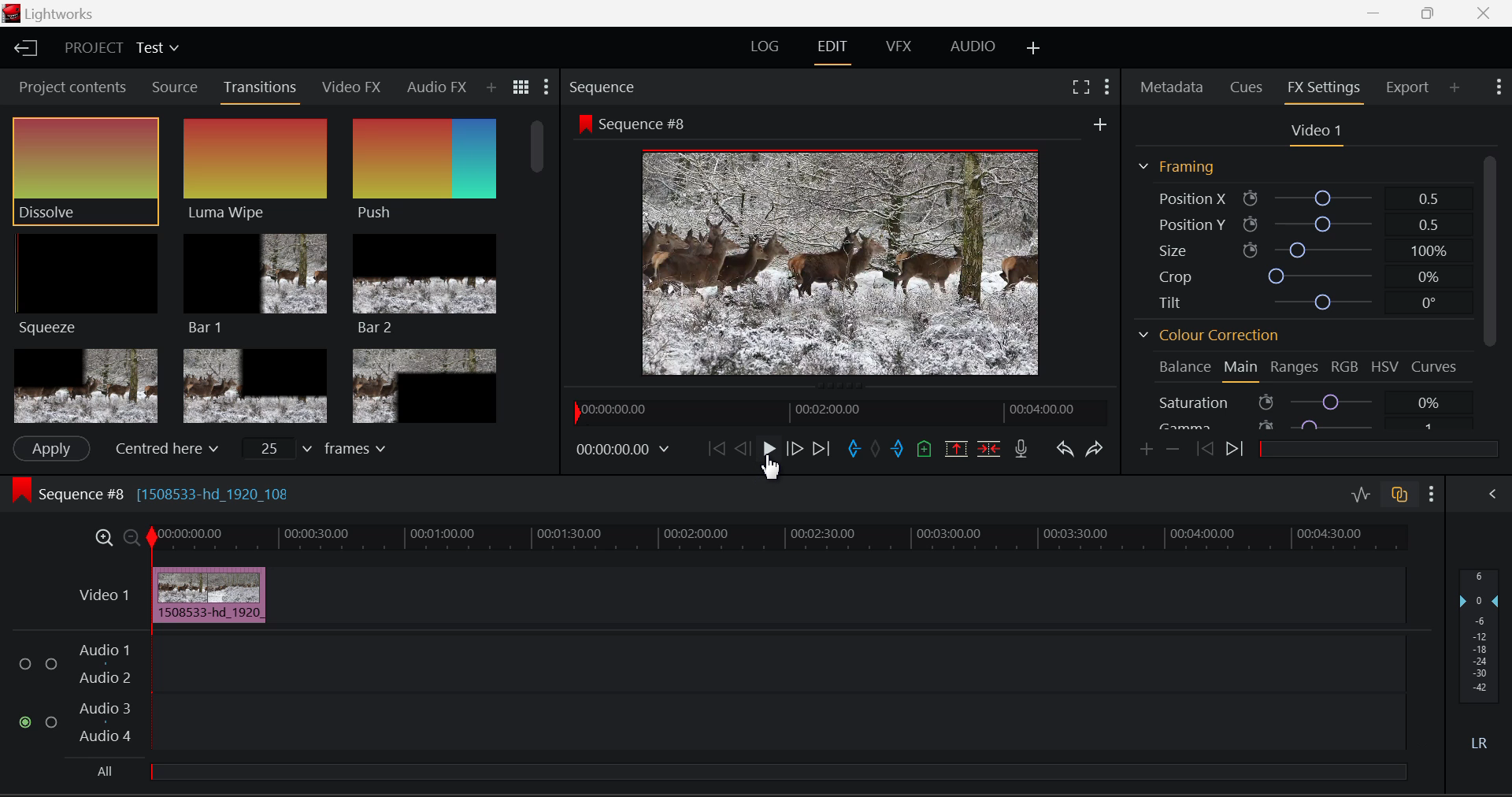 The width and height of the screenshot is (1512, 797). I want to click on Add Panel, so click(1455, 88).